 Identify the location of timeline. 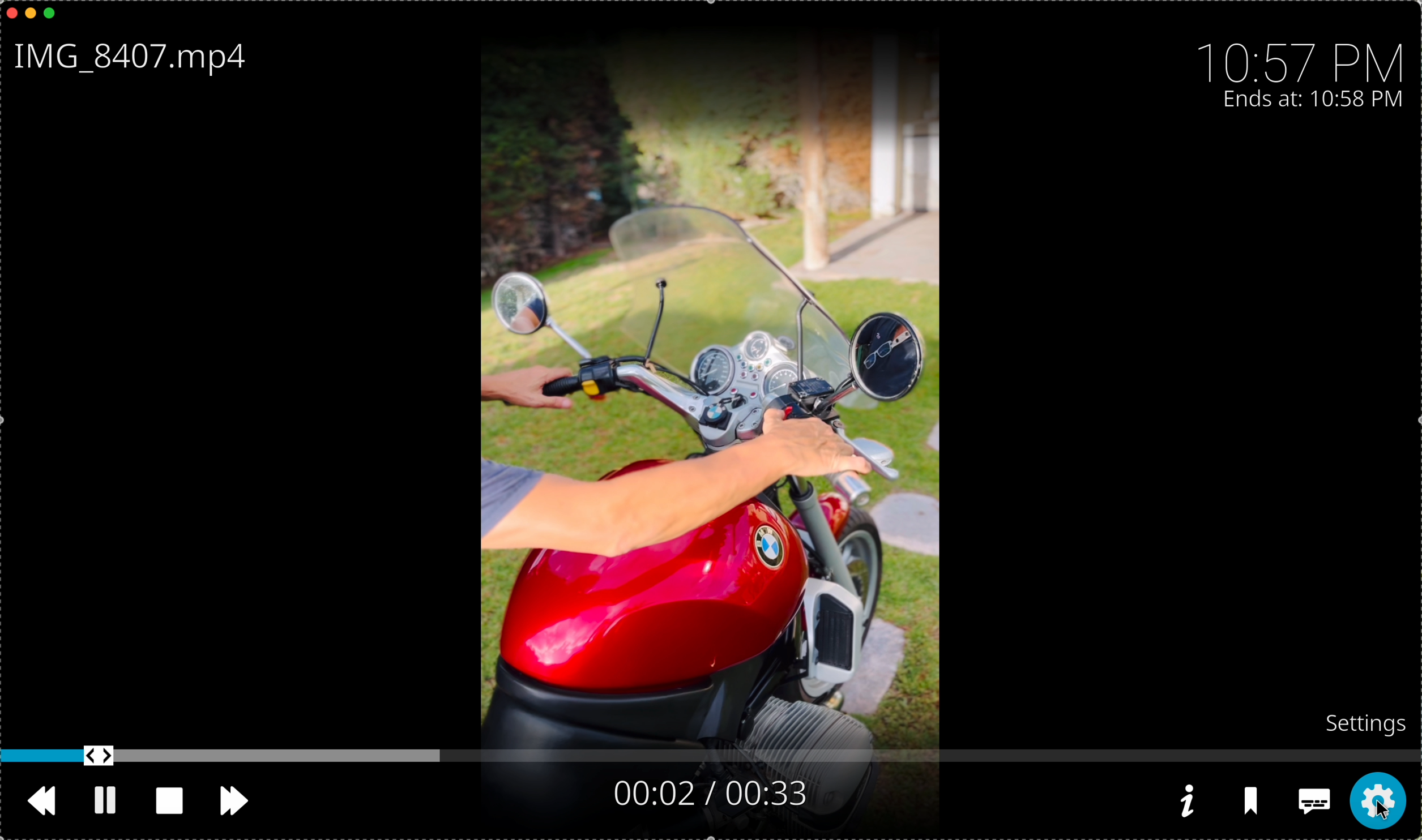
(711, 756).